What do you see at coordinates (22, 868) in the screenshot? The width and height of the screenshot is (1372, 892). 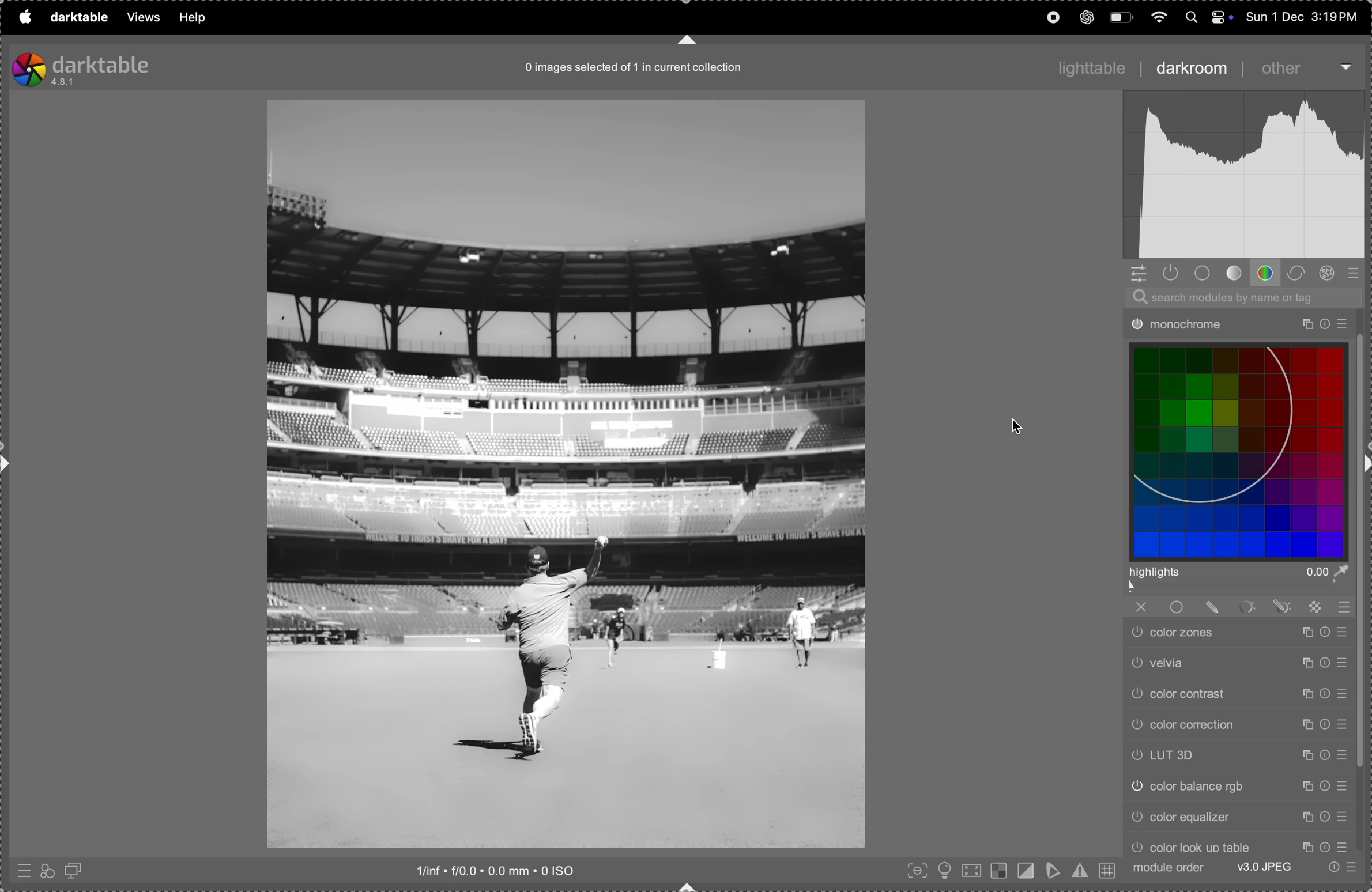 I see `quick acess to presets` at bounding box center [22, 868].